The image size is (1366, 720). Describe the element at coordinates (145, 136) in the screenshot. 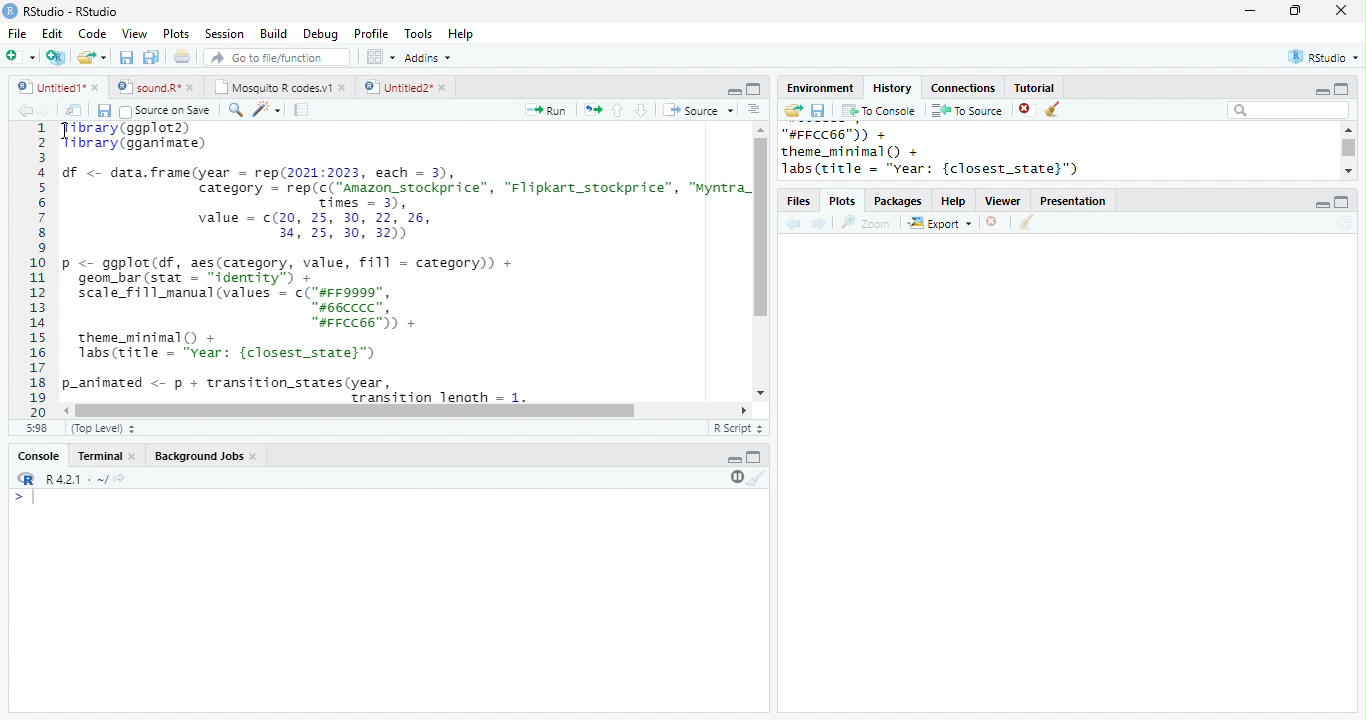

I see `library(ggplot2) library(gganimate)` at that location.